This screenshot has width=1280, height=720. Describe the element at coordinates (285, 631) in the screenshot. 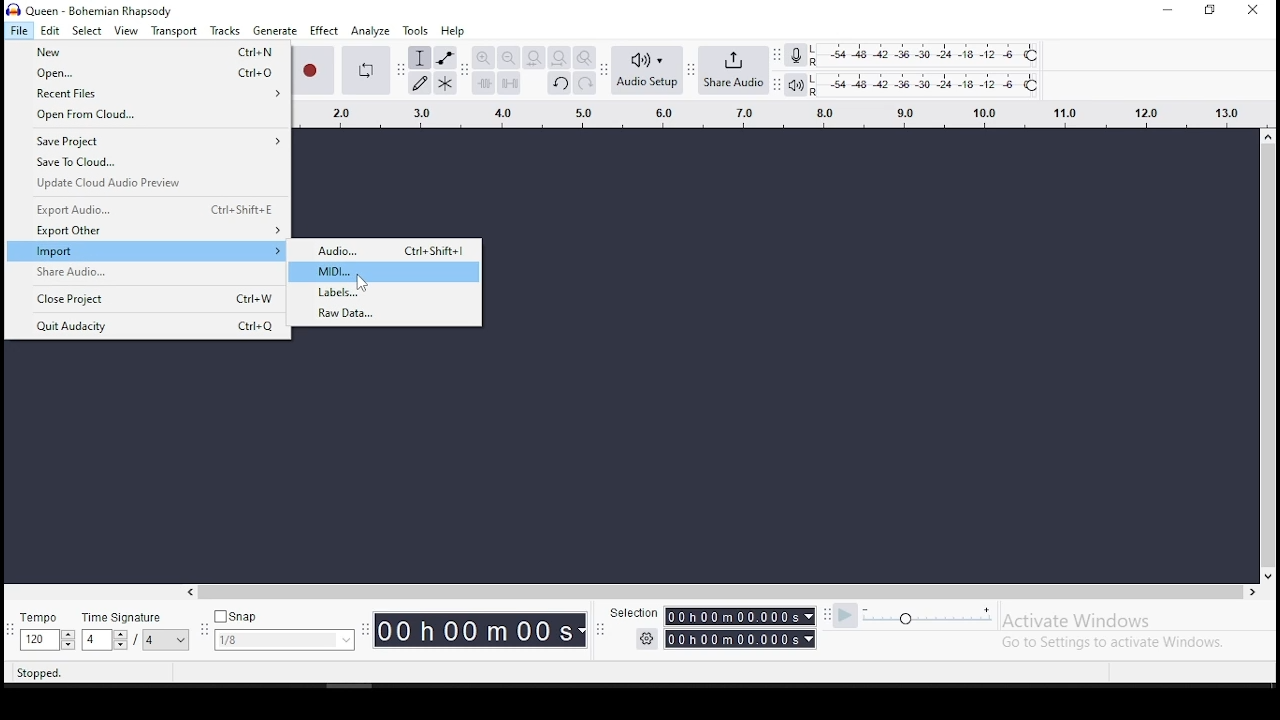

I see `snap` at that location.